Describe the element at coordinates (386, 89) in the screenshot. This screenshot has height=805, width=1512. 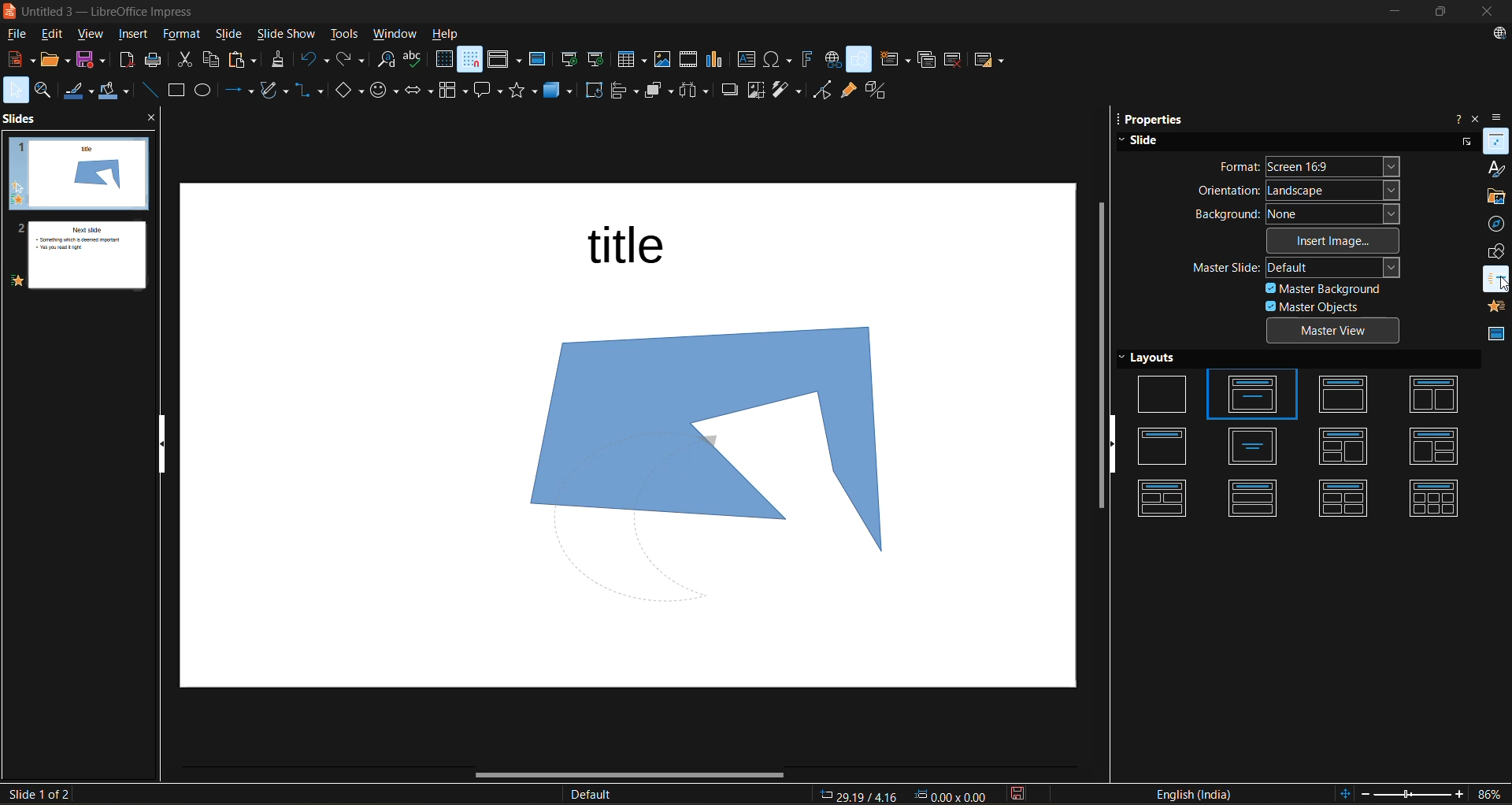
I see `symbol shapes` at that location.